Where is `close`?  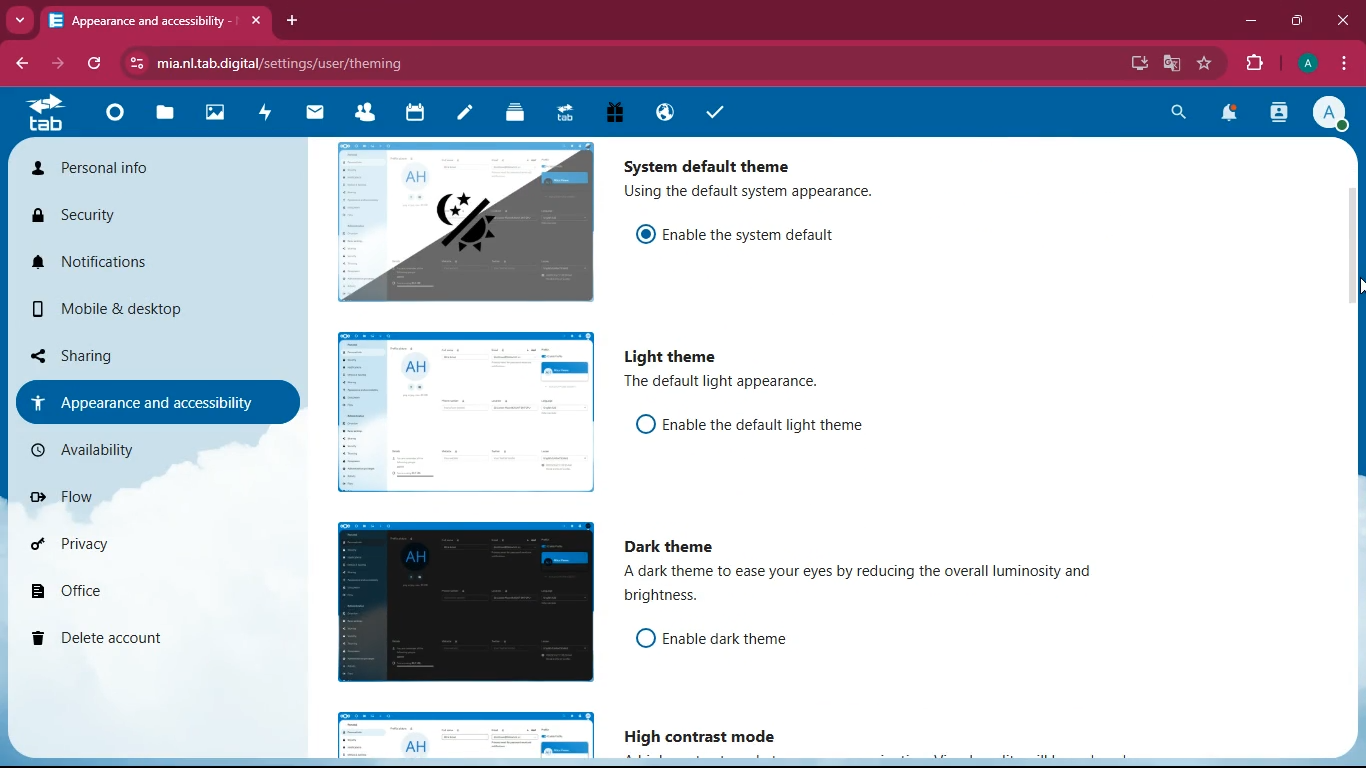
close is located at coordinates (1344, 19).